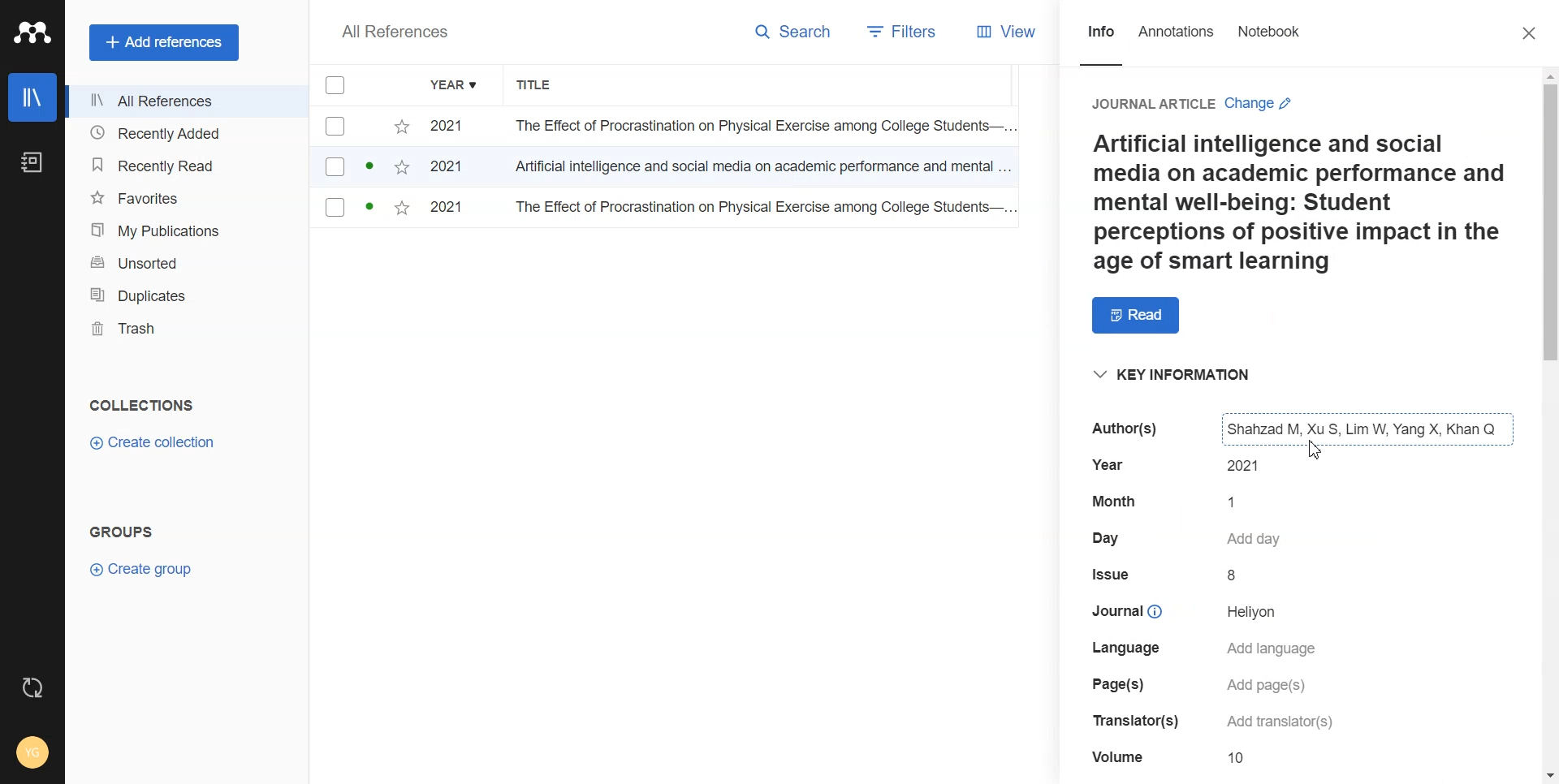 The height and width of the screenshot is (784, 1559). Describe the element at coordinates (453, 209) in the screenshot. I see `2021` at that location.